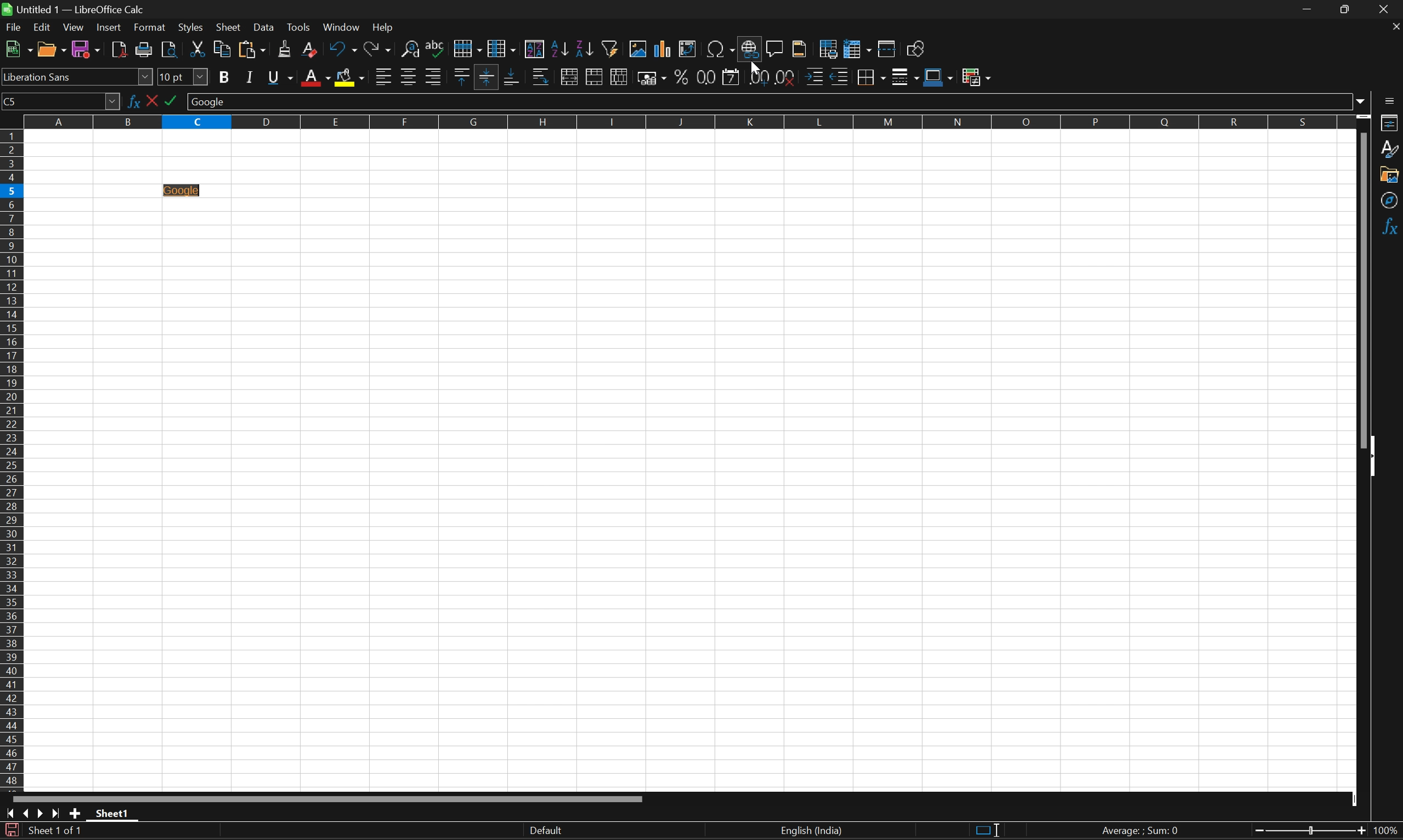  I want to click on Scroll bar, so click(328, 799).